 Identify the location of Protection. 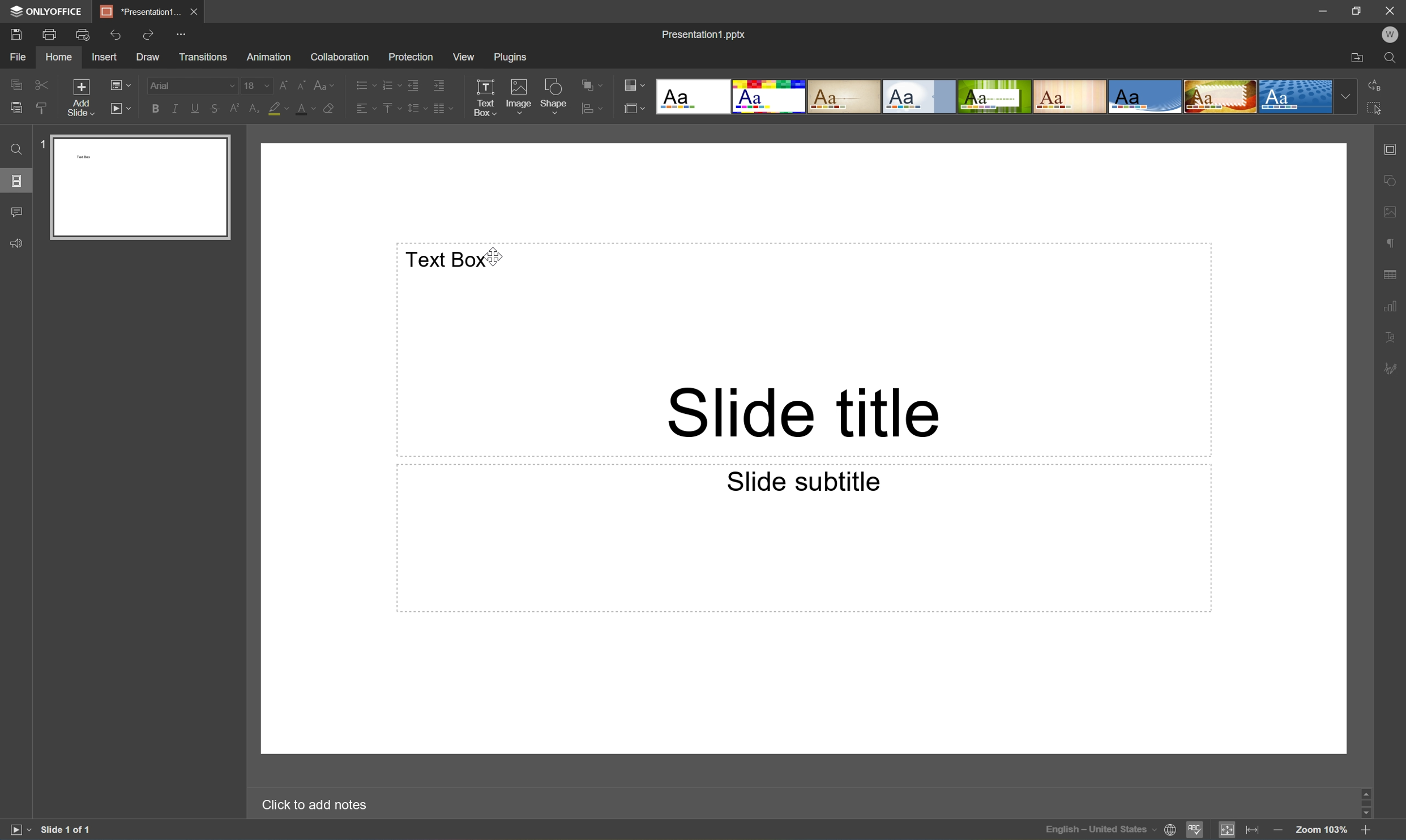
(412, 57).